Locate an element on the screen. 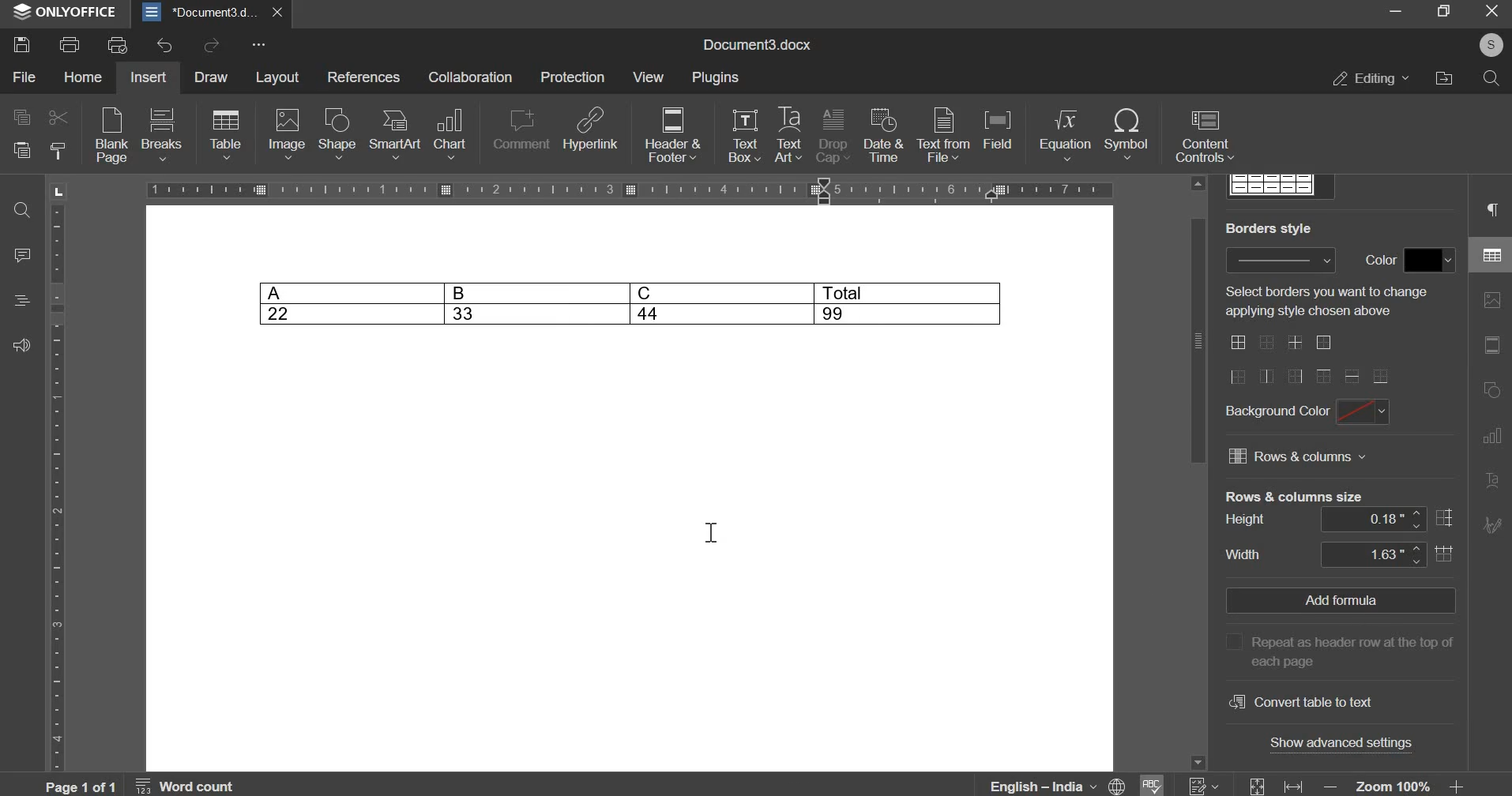 The width and height of the screenshot is (1512, 796). view is located at coordinates (649, 76).